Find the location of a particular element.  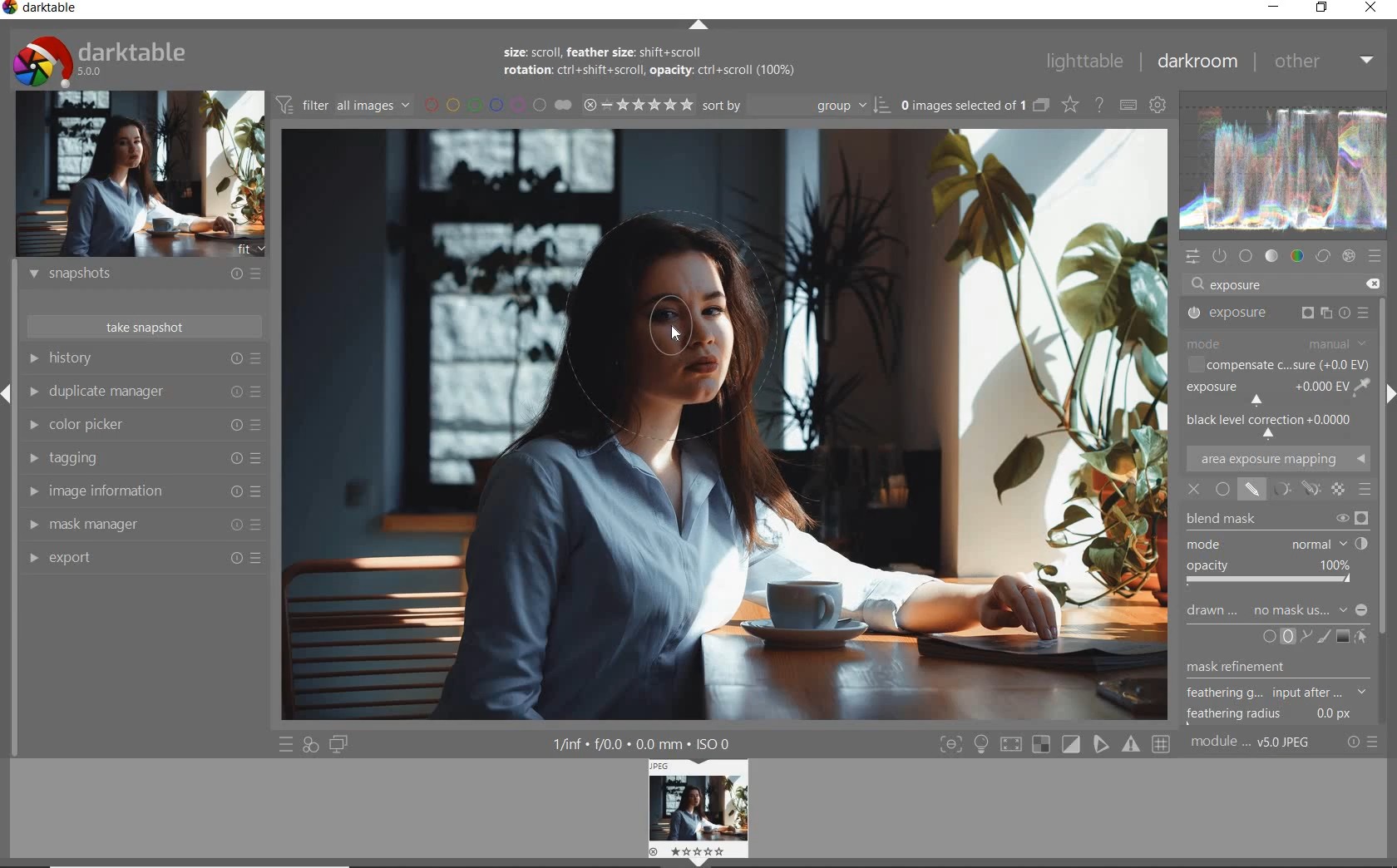

base is located at coordinates (1246, 256).